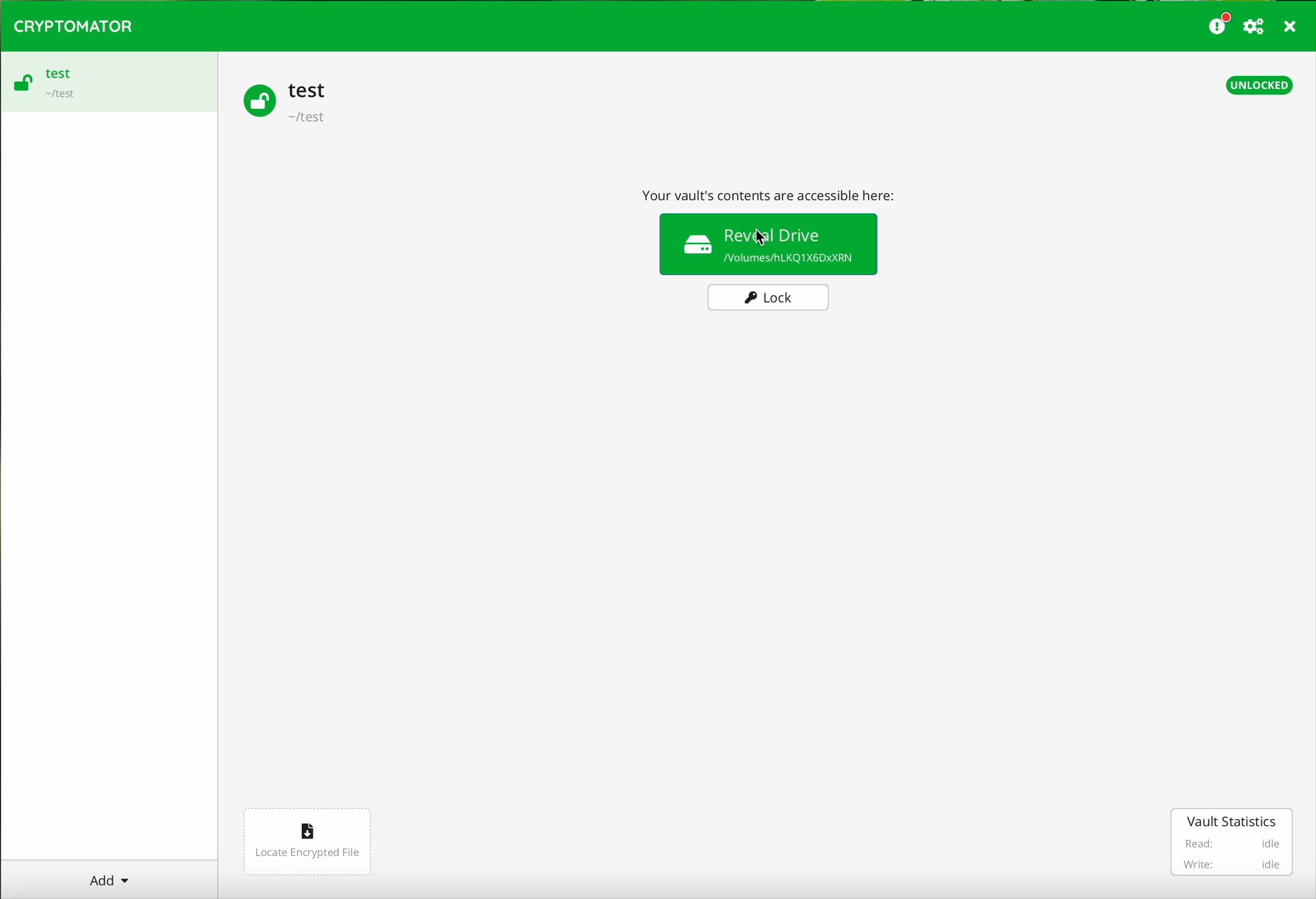 The width and height of the screenshot is (1316, 899). I want to click on test, so click(58, 73).